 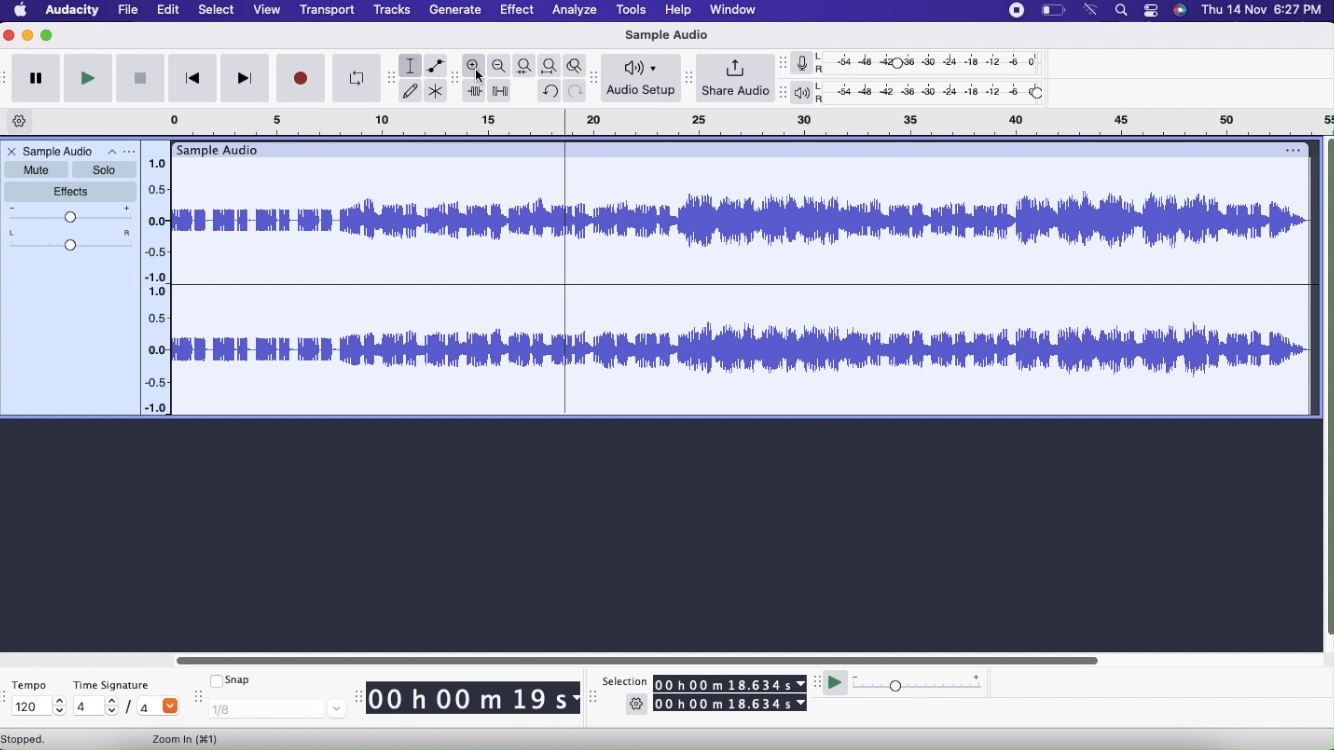 I want to click on Solo, so click(x=105, y=170).